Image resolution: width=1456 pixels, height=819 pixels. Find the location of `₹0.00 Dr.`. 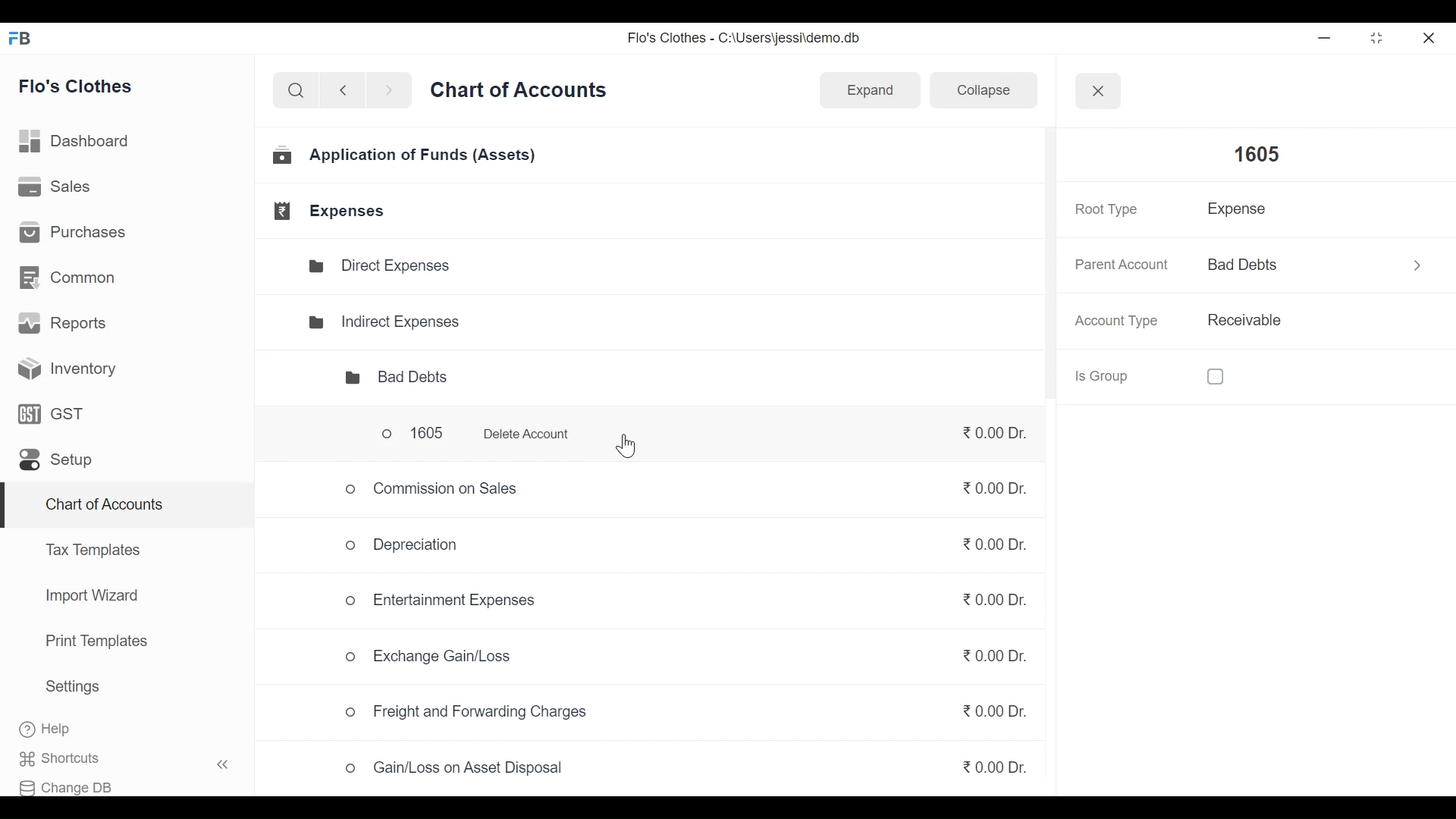

₹0.00 Dr. is located at coordinates (983, 595).